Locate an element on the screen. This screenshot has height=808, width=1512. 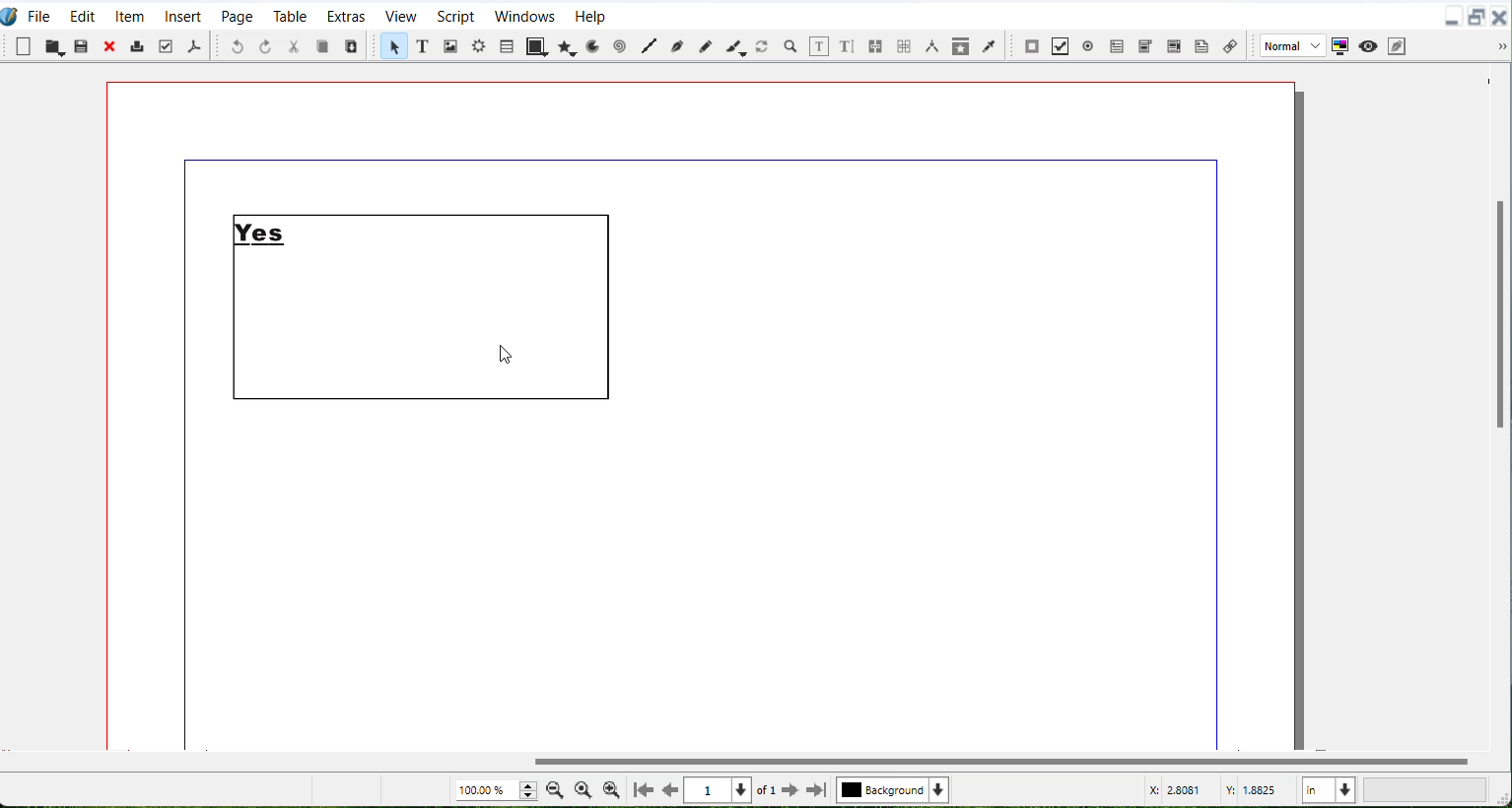
Zoom In is located at coordinates (611, 789).